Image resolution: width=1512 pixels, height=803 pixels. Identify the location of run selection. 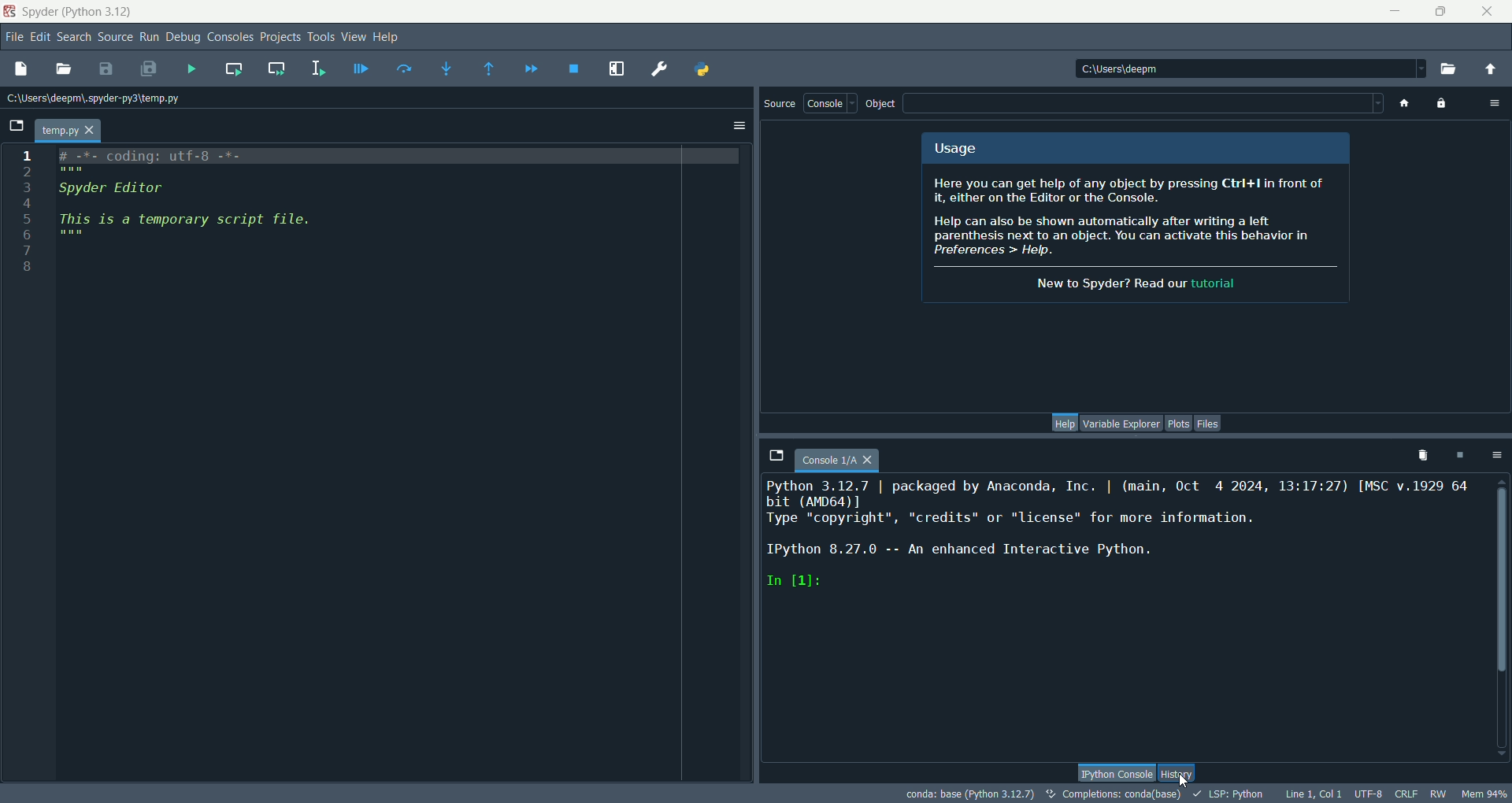
(319, 69).